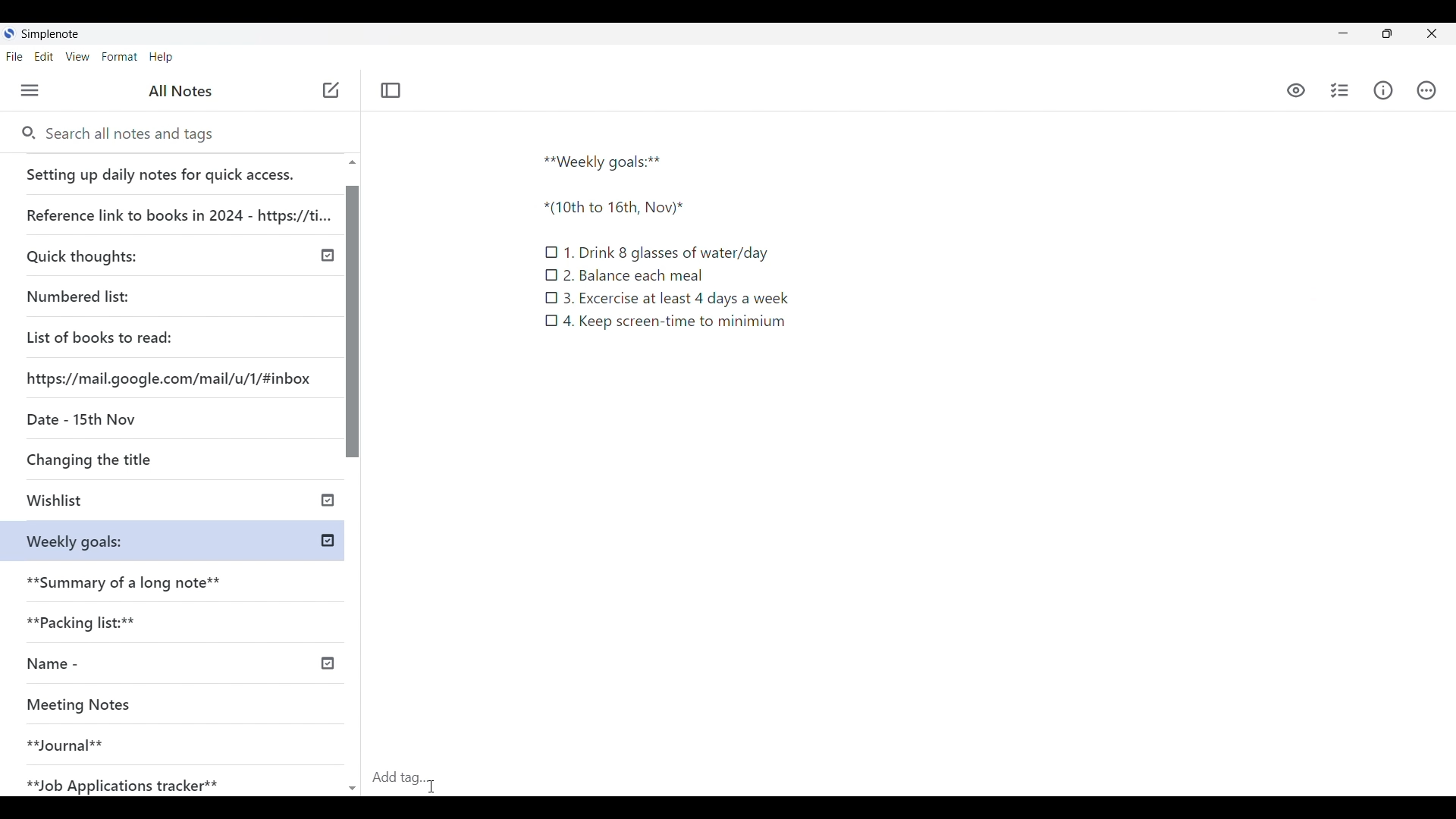 The width and height of the screenshot is (1456, 819). Describe the element at coordinates (1343, 33) in the screenshot. I see `Minimize` at that location.